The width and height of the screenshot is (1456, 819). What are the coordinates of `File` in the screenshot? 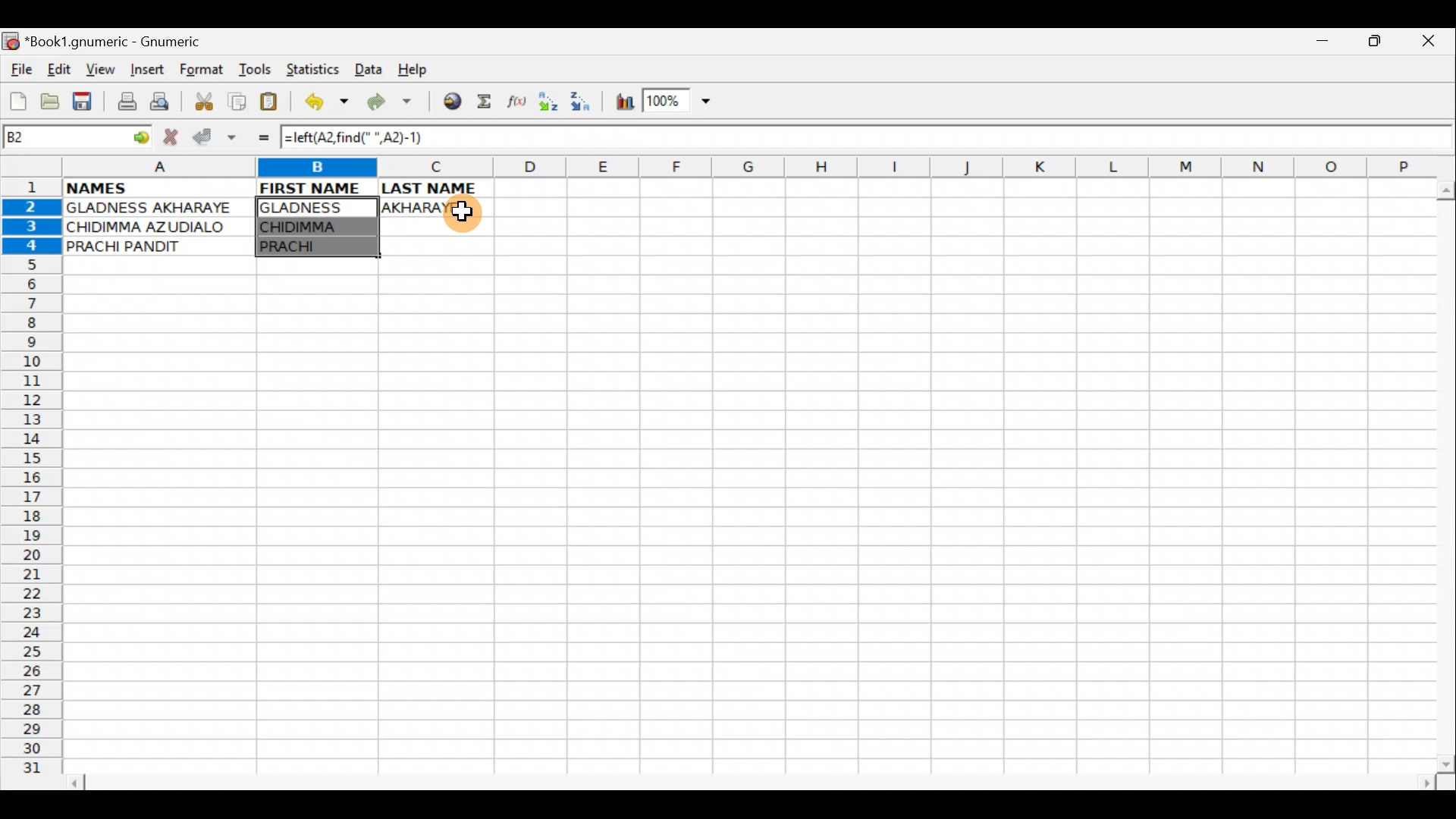 It's located at (20, 71).